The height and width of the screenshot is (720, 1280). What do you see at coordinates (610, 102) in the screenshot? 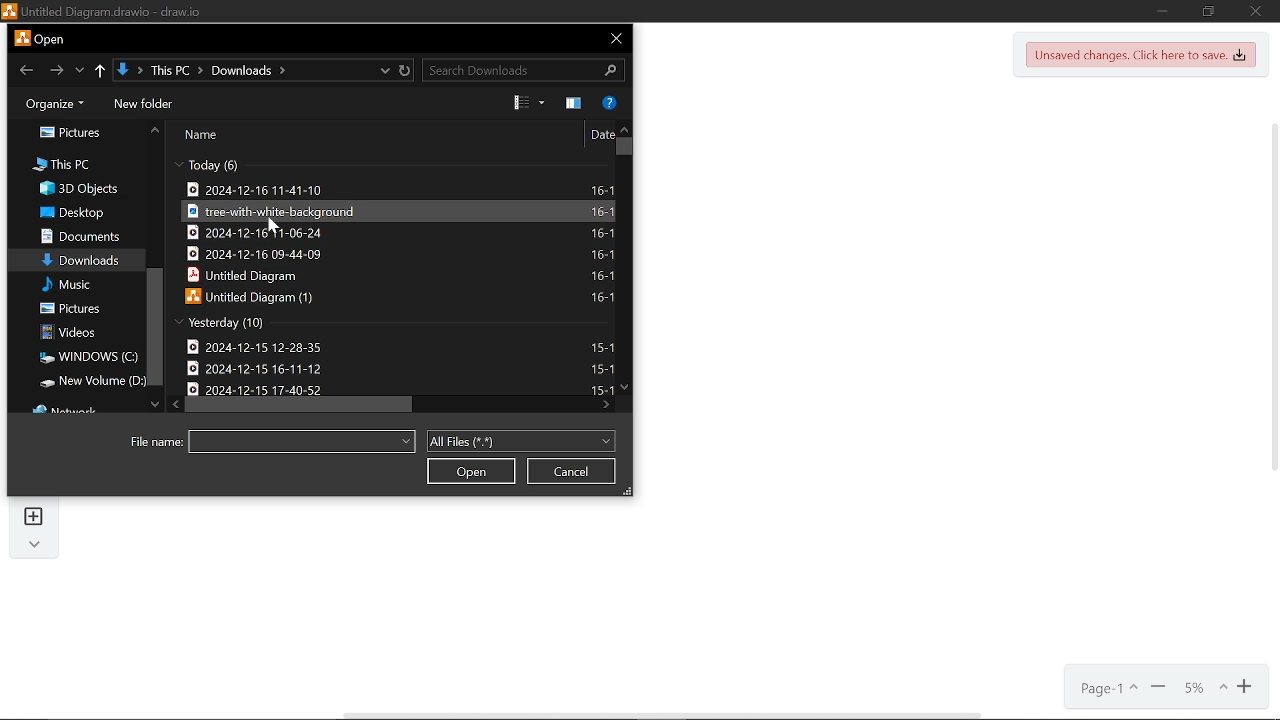
I see `Help` at bounding box center [610, 102].